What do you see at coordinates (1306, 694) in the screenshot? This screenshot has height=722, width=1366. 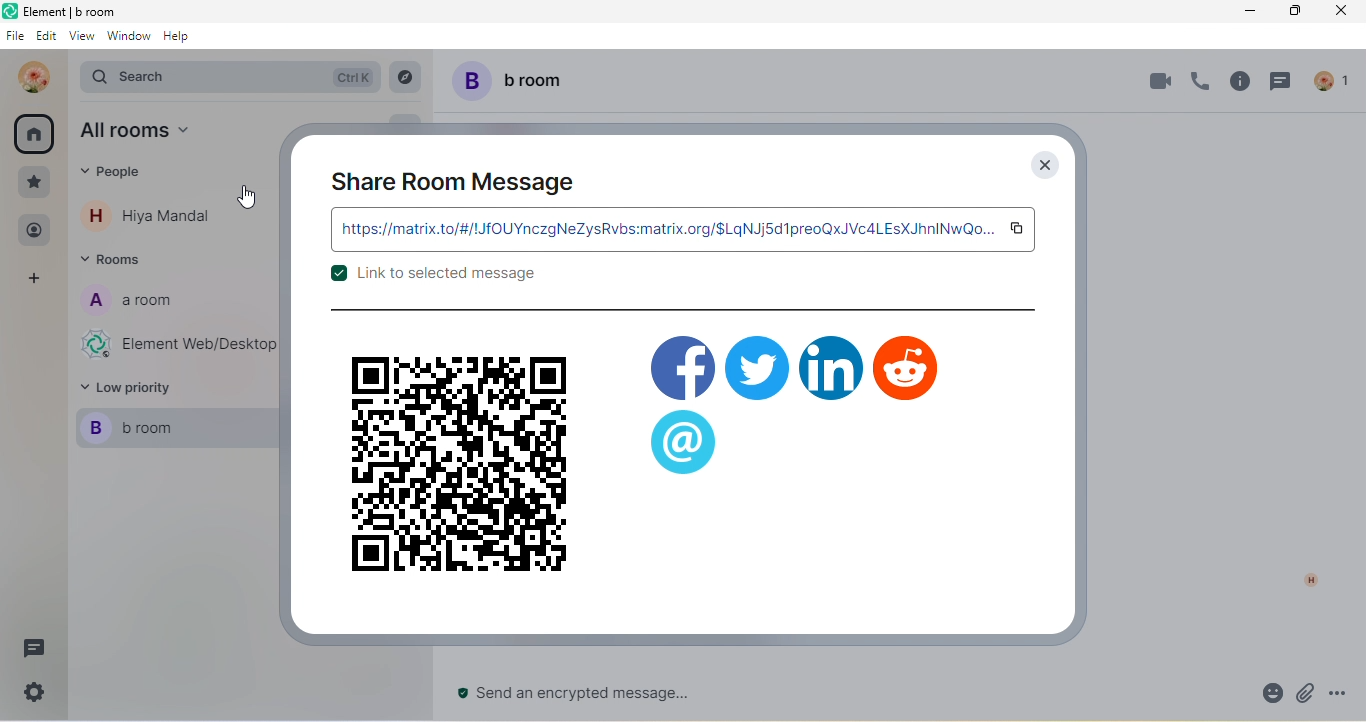 I see `attachment` at bounding box center [1306, 694].